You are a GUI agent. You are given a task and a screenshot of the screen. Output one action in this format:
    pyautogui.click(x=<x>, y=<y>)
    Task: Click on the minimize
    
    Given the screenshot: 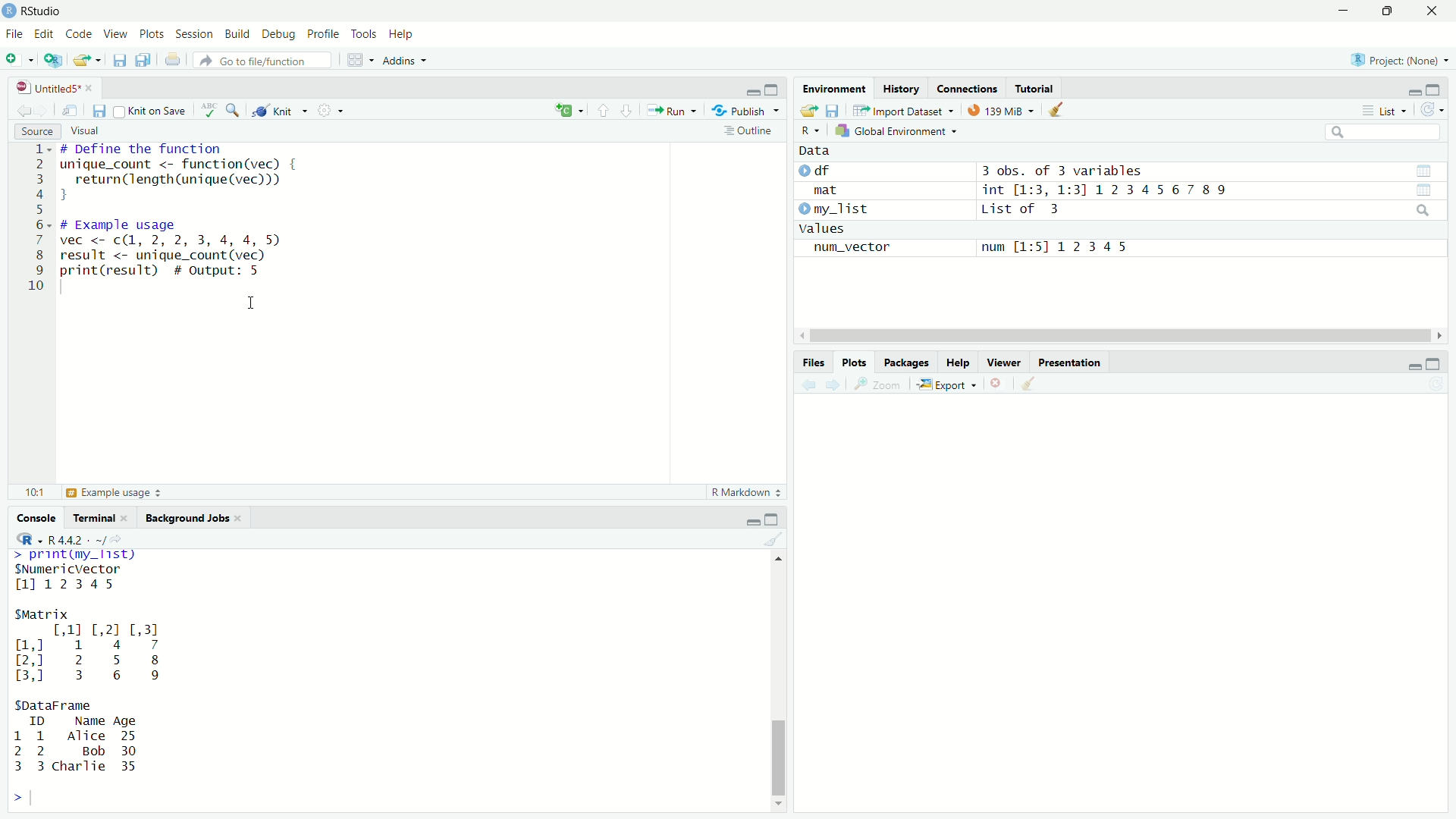 What is the action you would take?
    pyautogui.click(x=1413, y=367)
    